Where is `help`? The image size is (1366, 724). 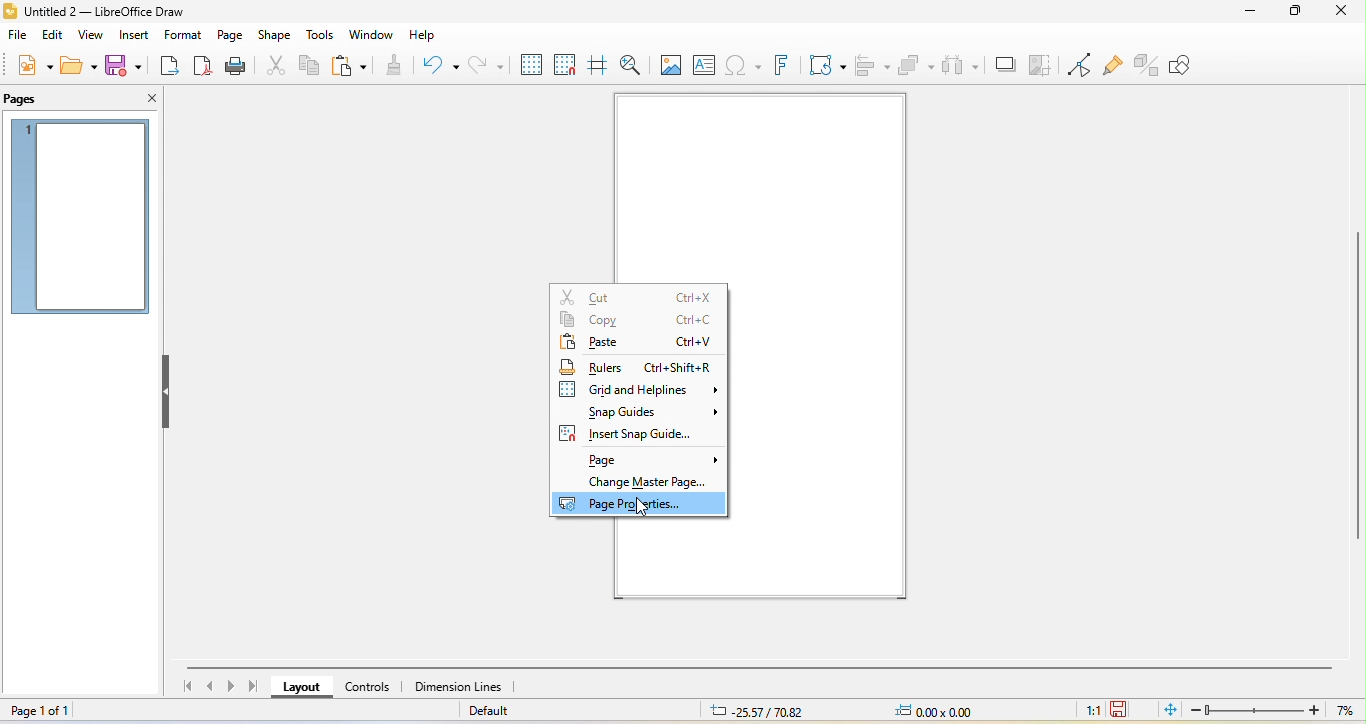 help is located at coordinates (420, 36).